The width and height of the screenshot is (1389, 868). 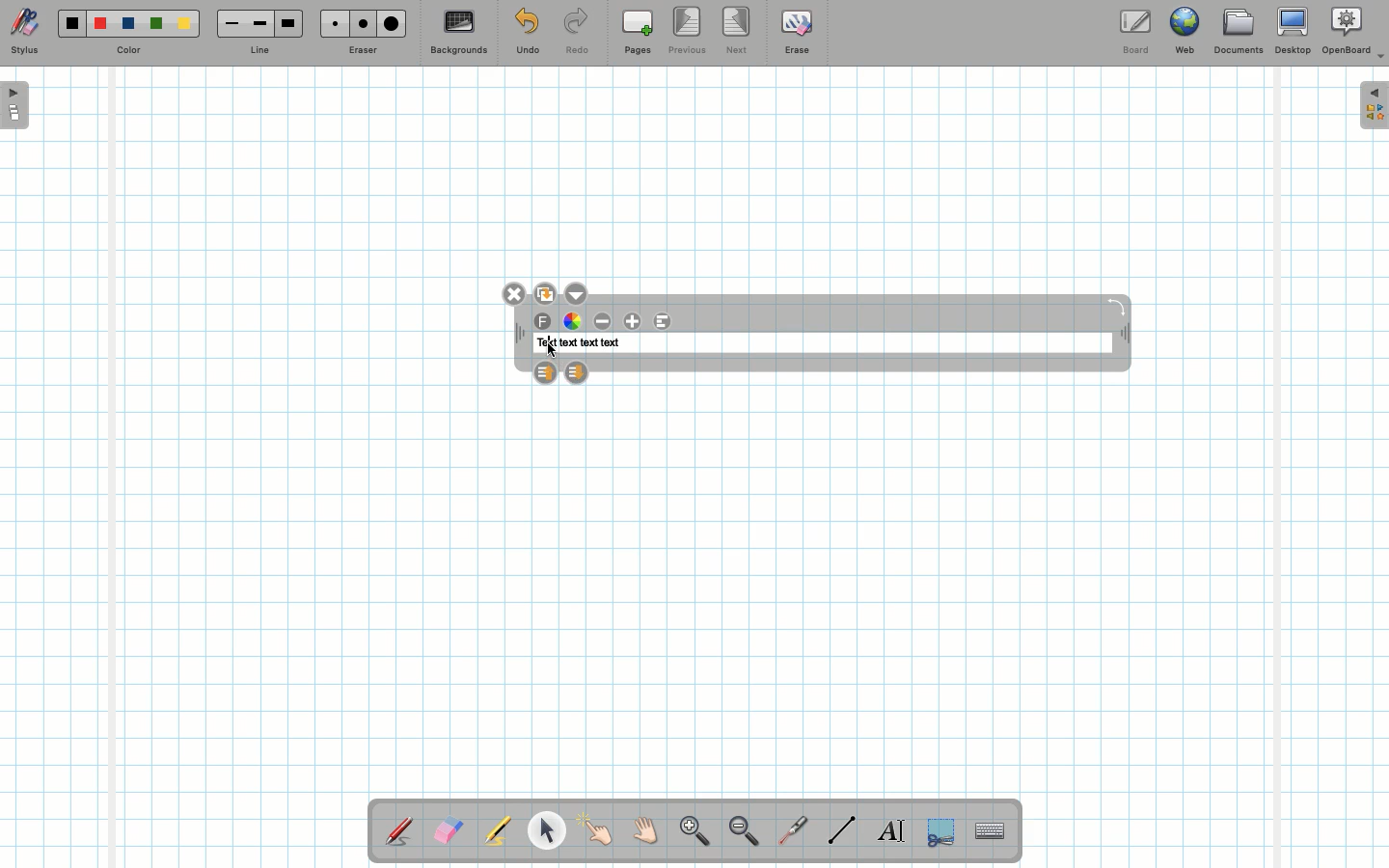 I want to click on Expand, so click(x=1374, y=105).